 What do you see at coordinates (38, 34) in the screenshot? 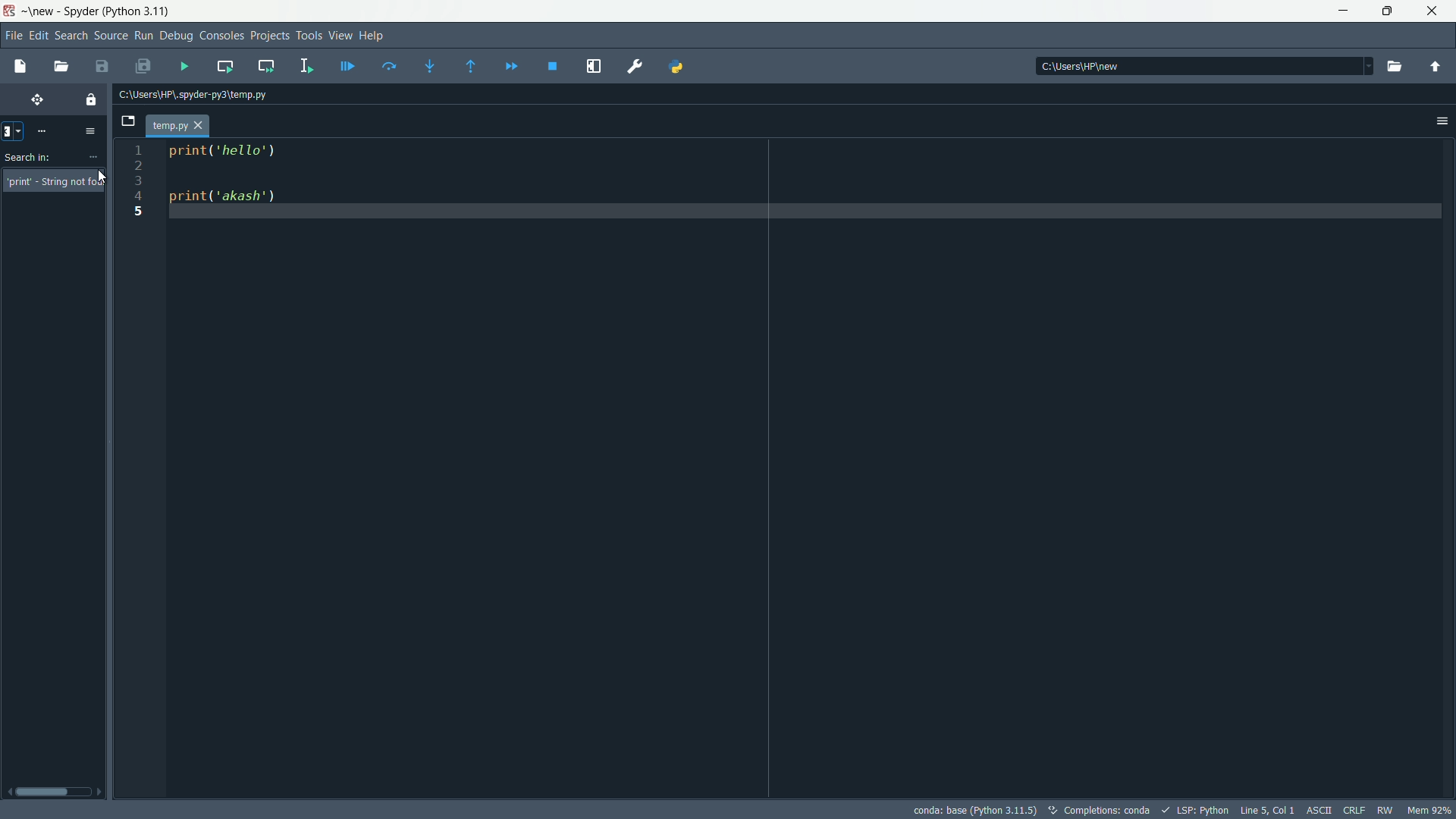
I see `edit menu` at bounding box center [38, 34].